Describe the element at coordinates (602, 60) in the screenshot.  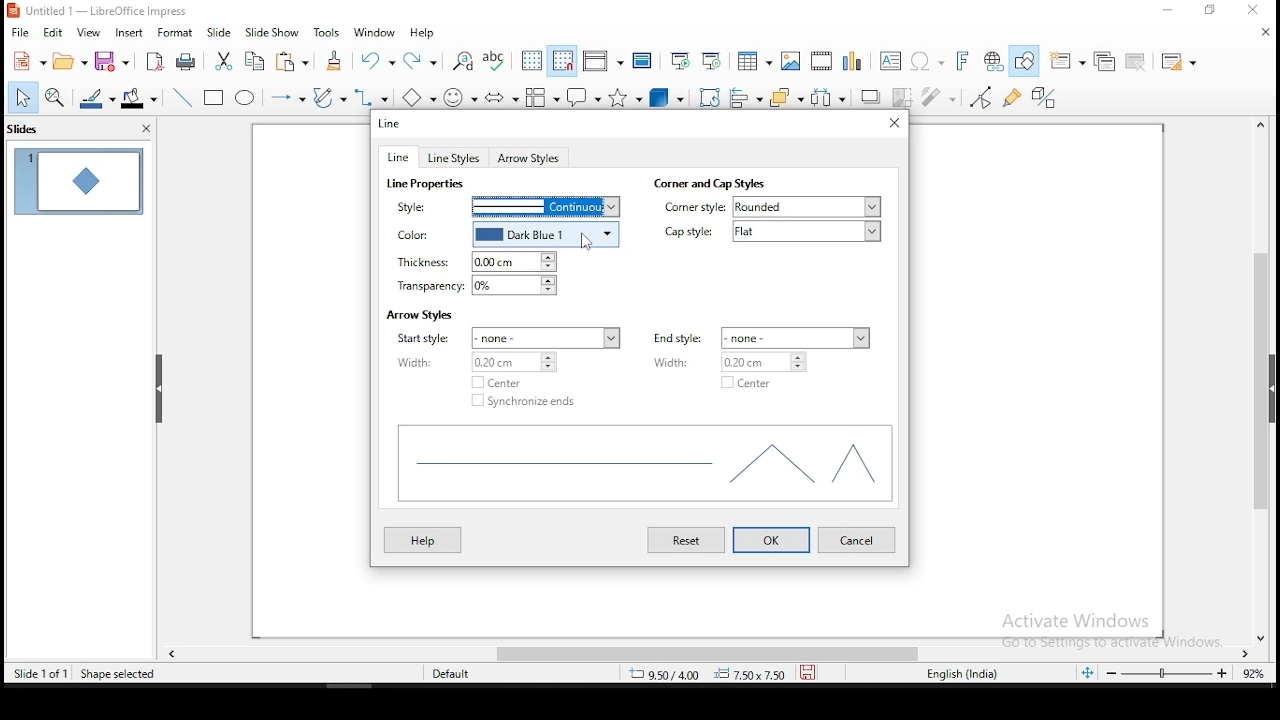
I see `display views` at that location.